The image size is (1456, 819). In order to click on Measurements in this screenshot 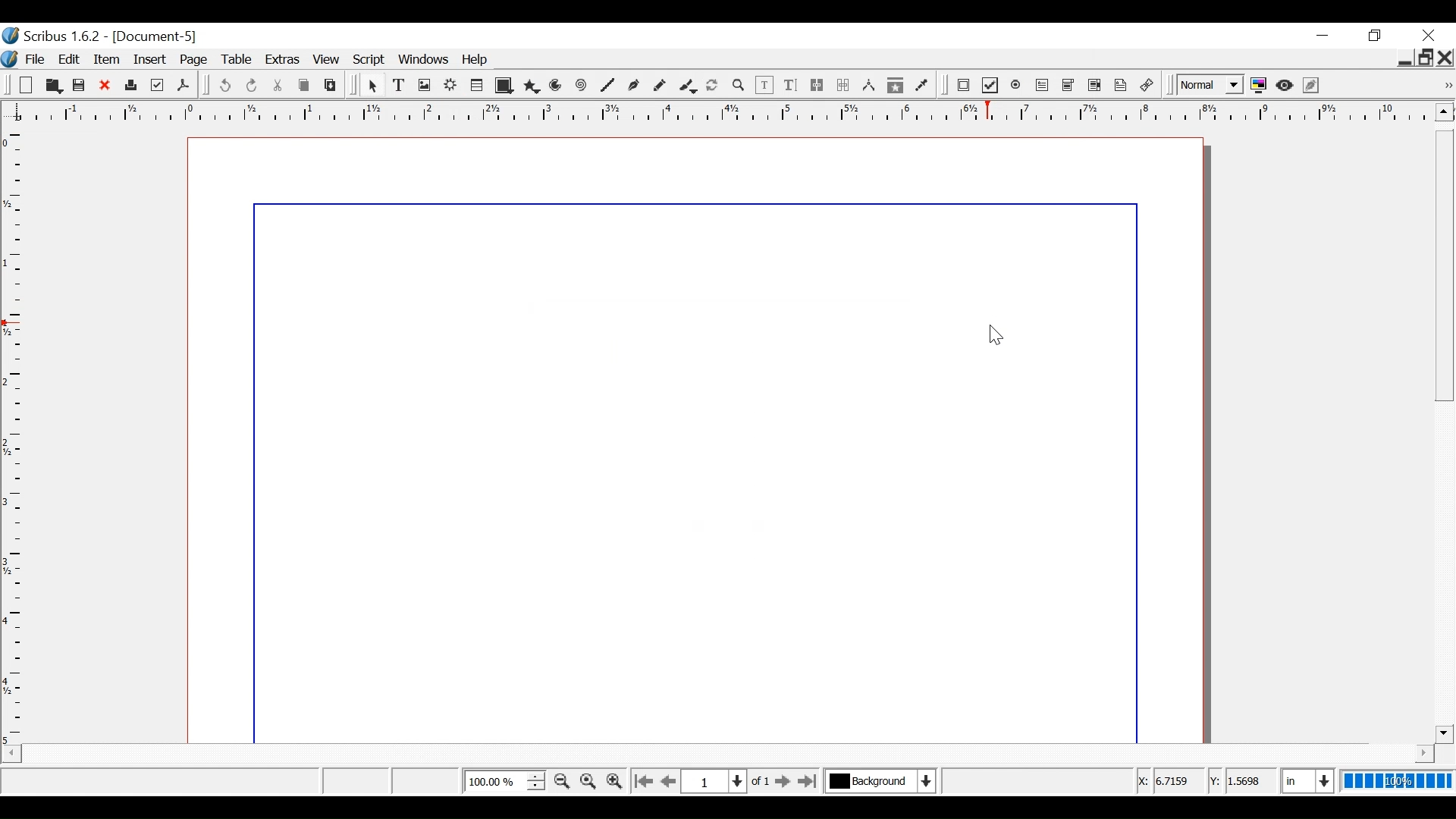, I will do `click(868, 86)`.